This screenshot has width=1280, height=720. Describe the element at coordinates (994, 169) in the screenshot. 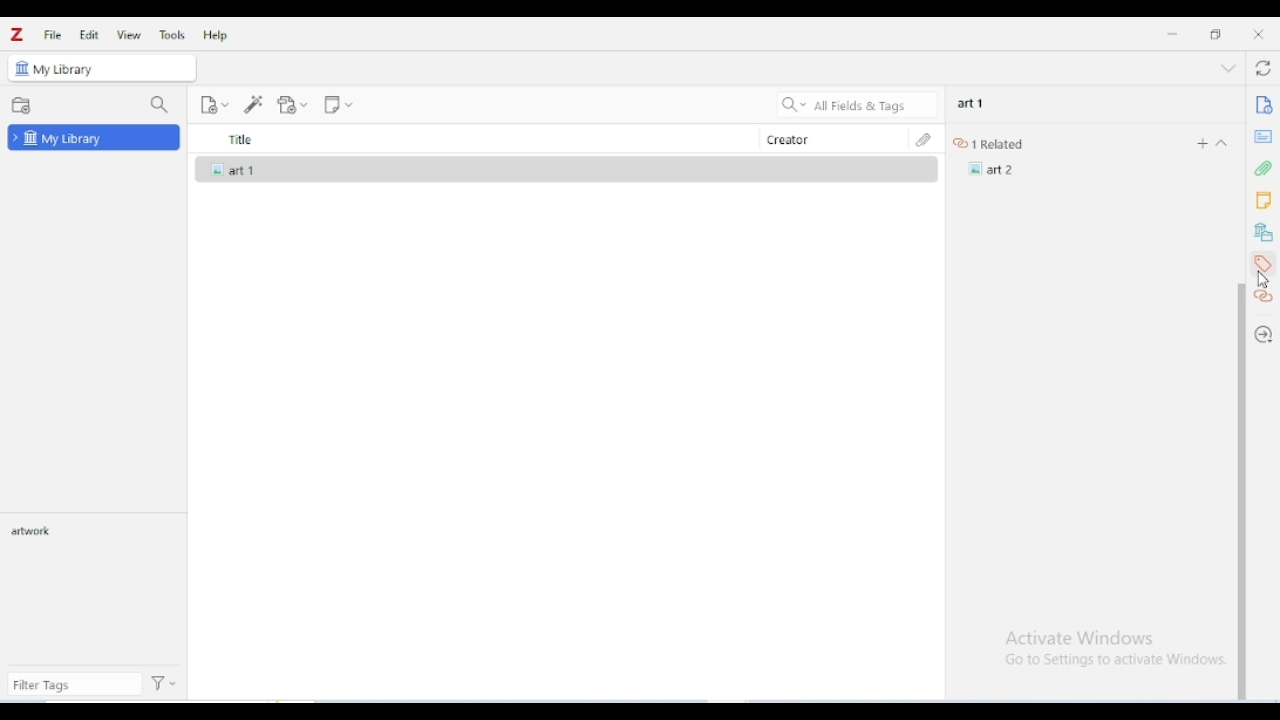

I see `art 2` at that location.